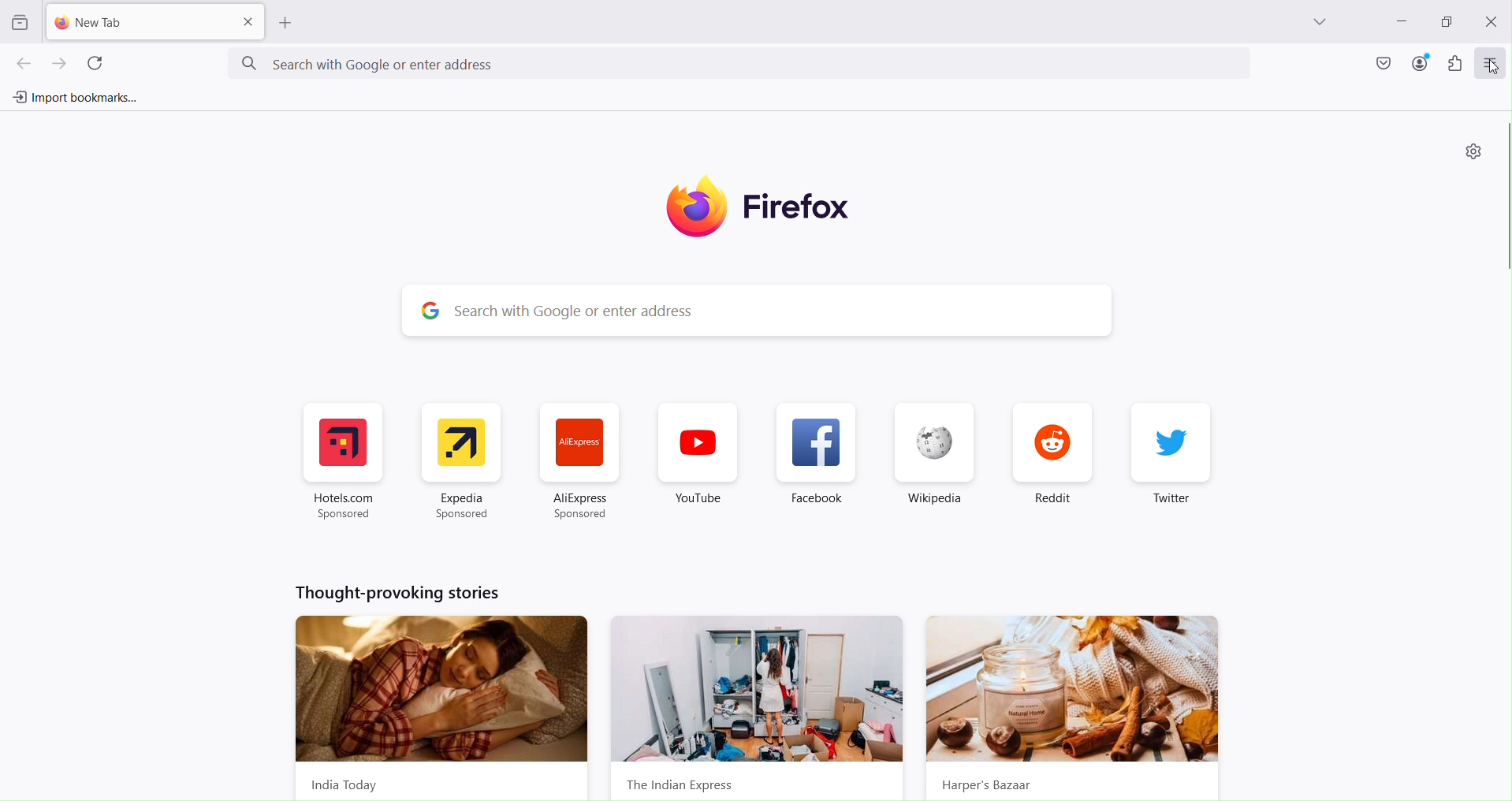  What do you see at coordinates (400, 593) in the screenshot?
I see `thought-provoking-stories` at bounding box center [400, 593].